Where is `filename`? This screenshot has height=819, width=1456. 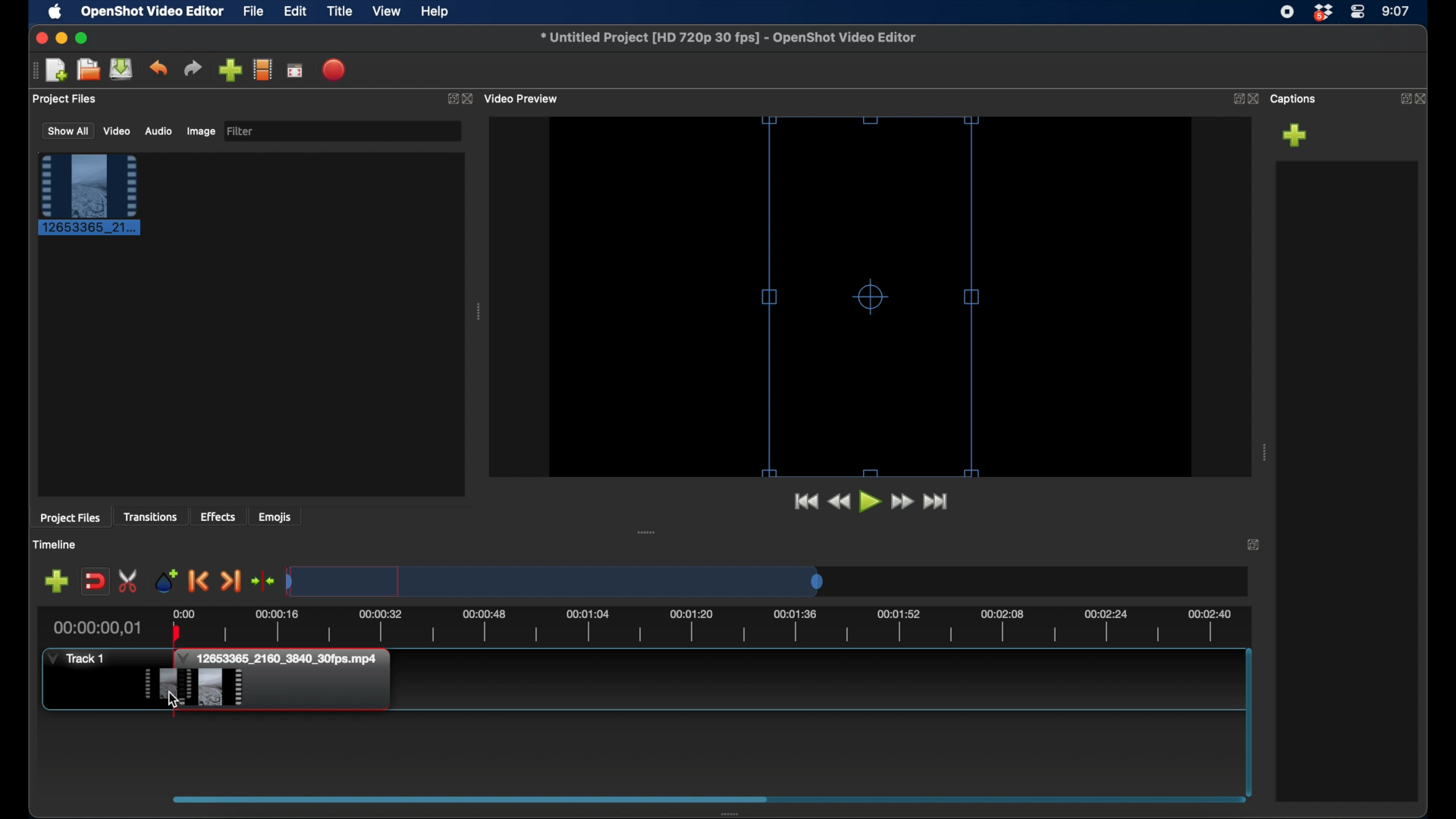 filename is located at coordinates (727, 37).